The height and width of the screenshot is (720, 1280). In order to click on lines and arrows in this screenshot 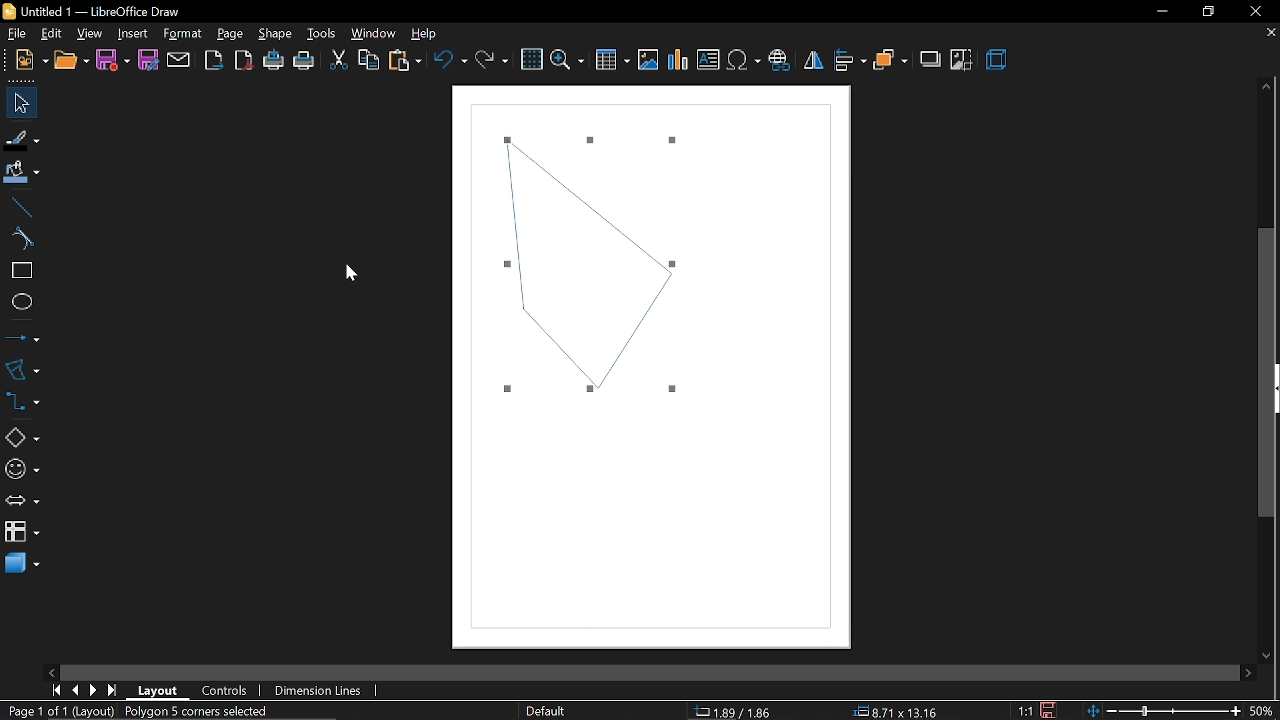, I will do `click(23, 334)`.